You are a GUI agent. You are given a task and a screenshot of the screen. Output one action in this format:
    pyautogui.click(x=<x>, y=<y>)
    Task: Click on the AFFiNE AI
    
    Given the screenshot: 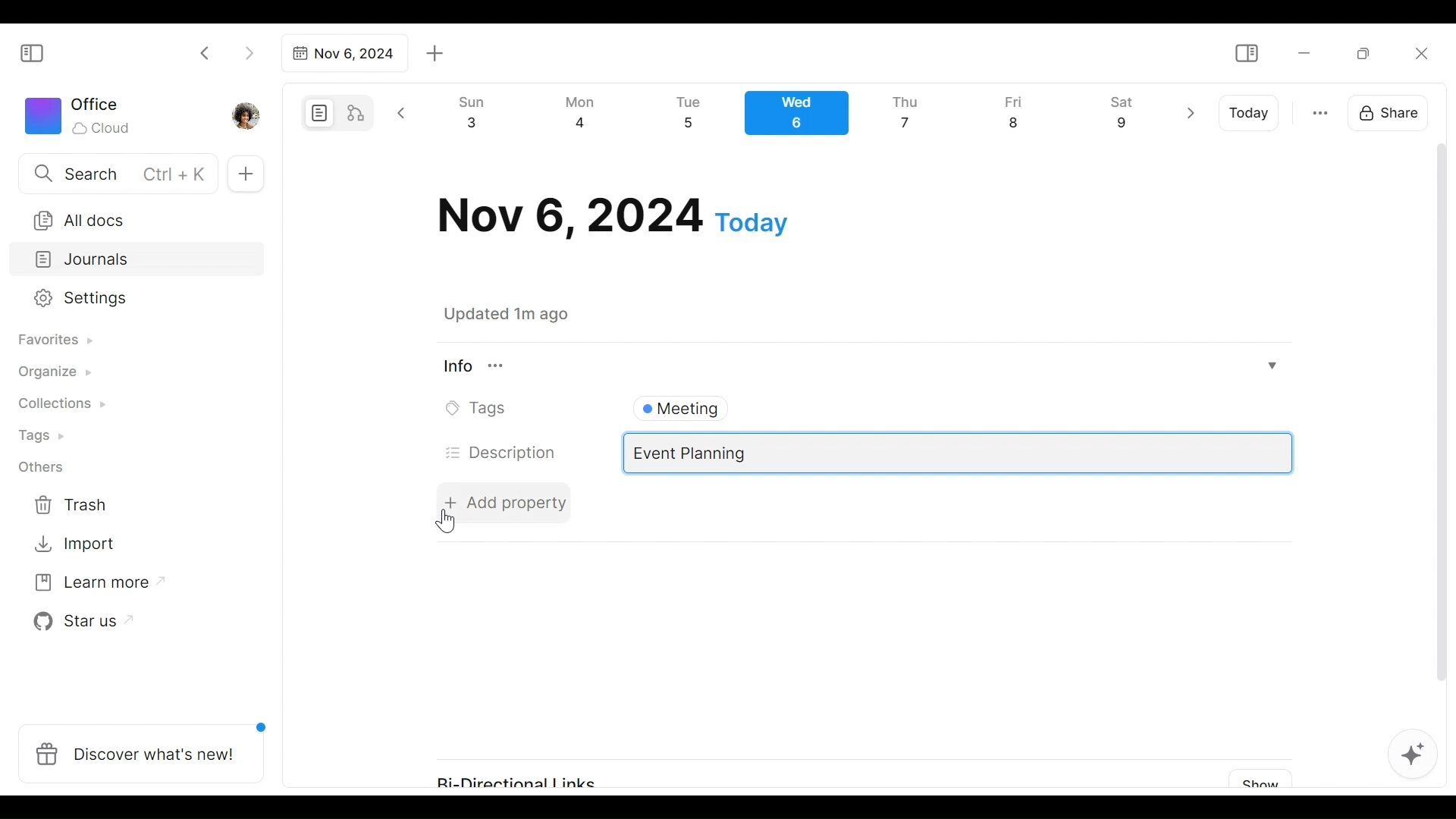 What is the action you would take?
    pyautogui.click(x=1413, y=756)
    